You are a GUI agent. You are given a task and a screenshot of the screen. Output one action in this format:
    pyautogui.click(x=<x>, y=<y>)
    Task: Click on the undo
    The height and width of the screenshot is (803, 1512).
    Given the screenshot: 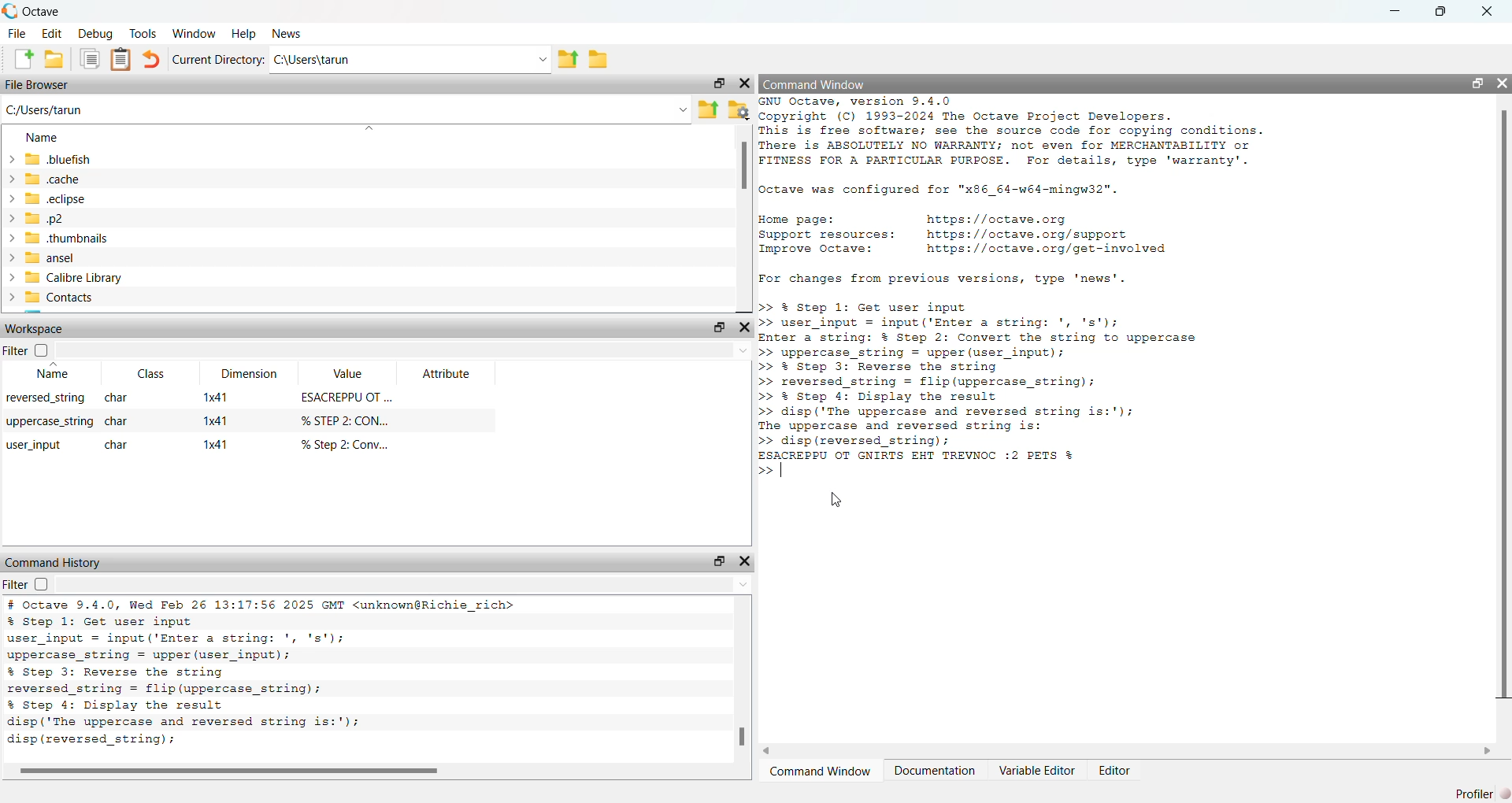 What is the action you would take?
    pyautogui.click(x=150, y=61)
    